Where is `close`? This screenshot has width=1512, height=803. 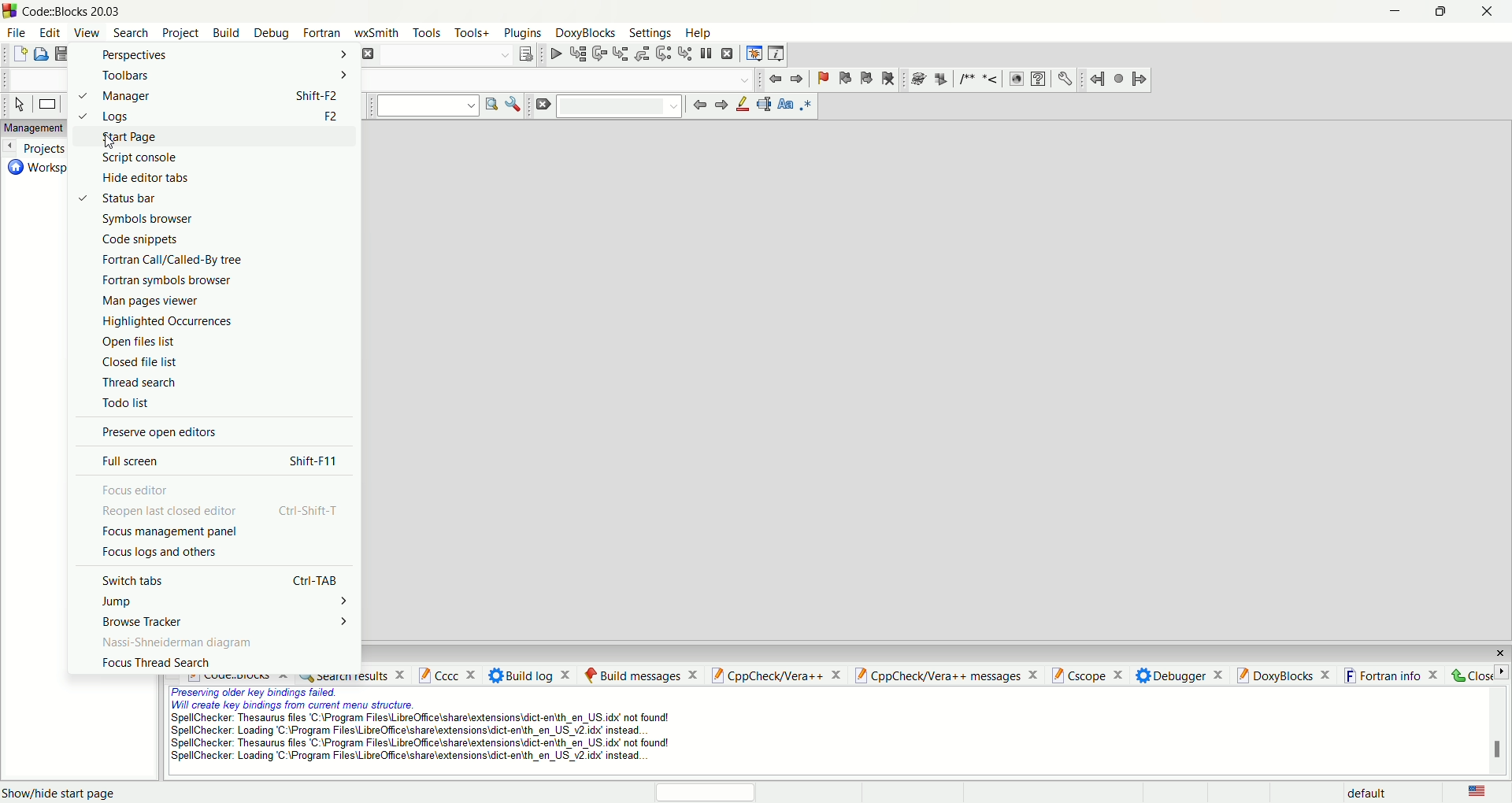 close is located at coordinates (1480, 675).